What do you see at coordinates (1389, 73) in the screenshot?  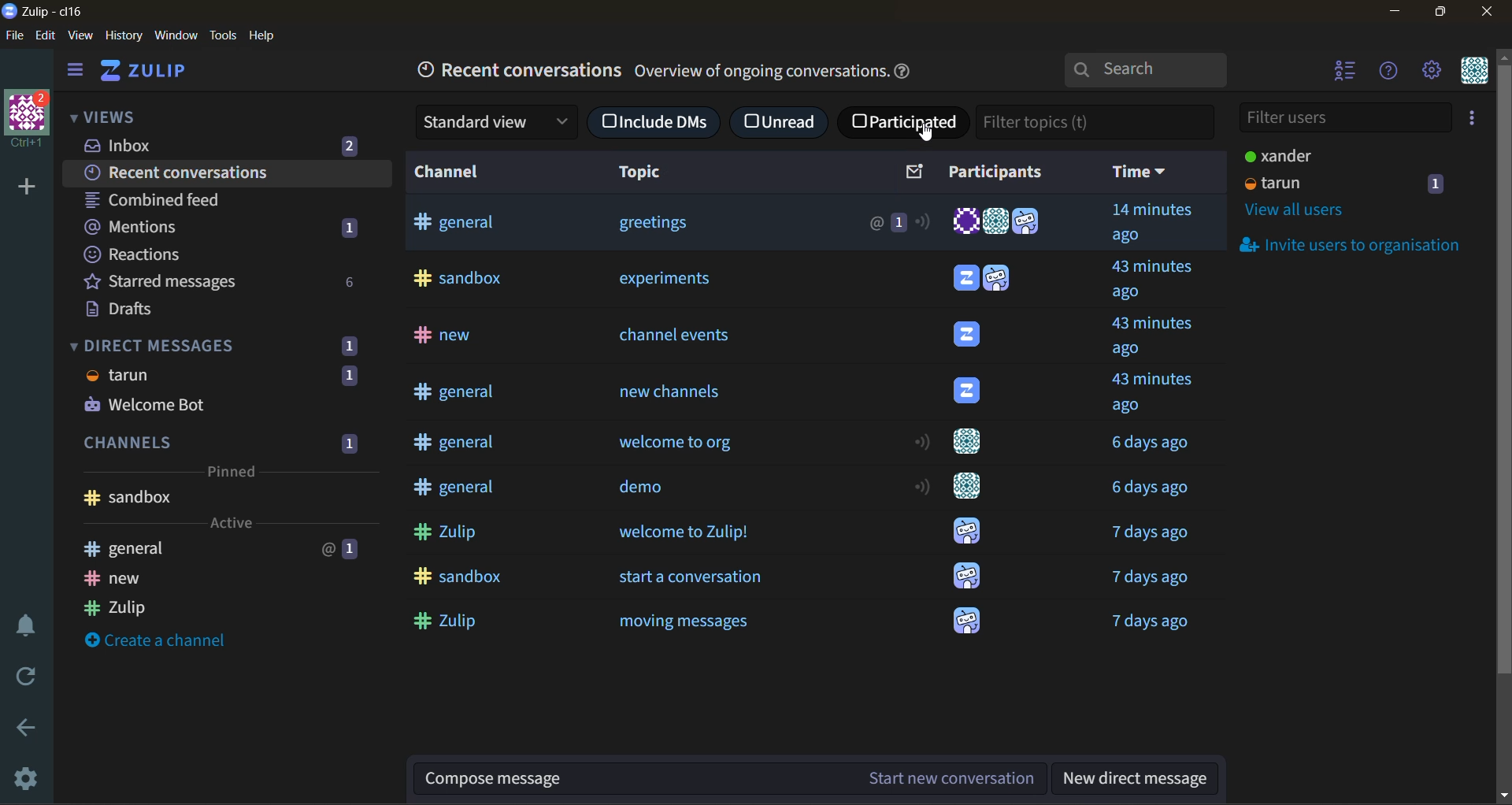 I see `help menu` at bounding box center [1389, 73].